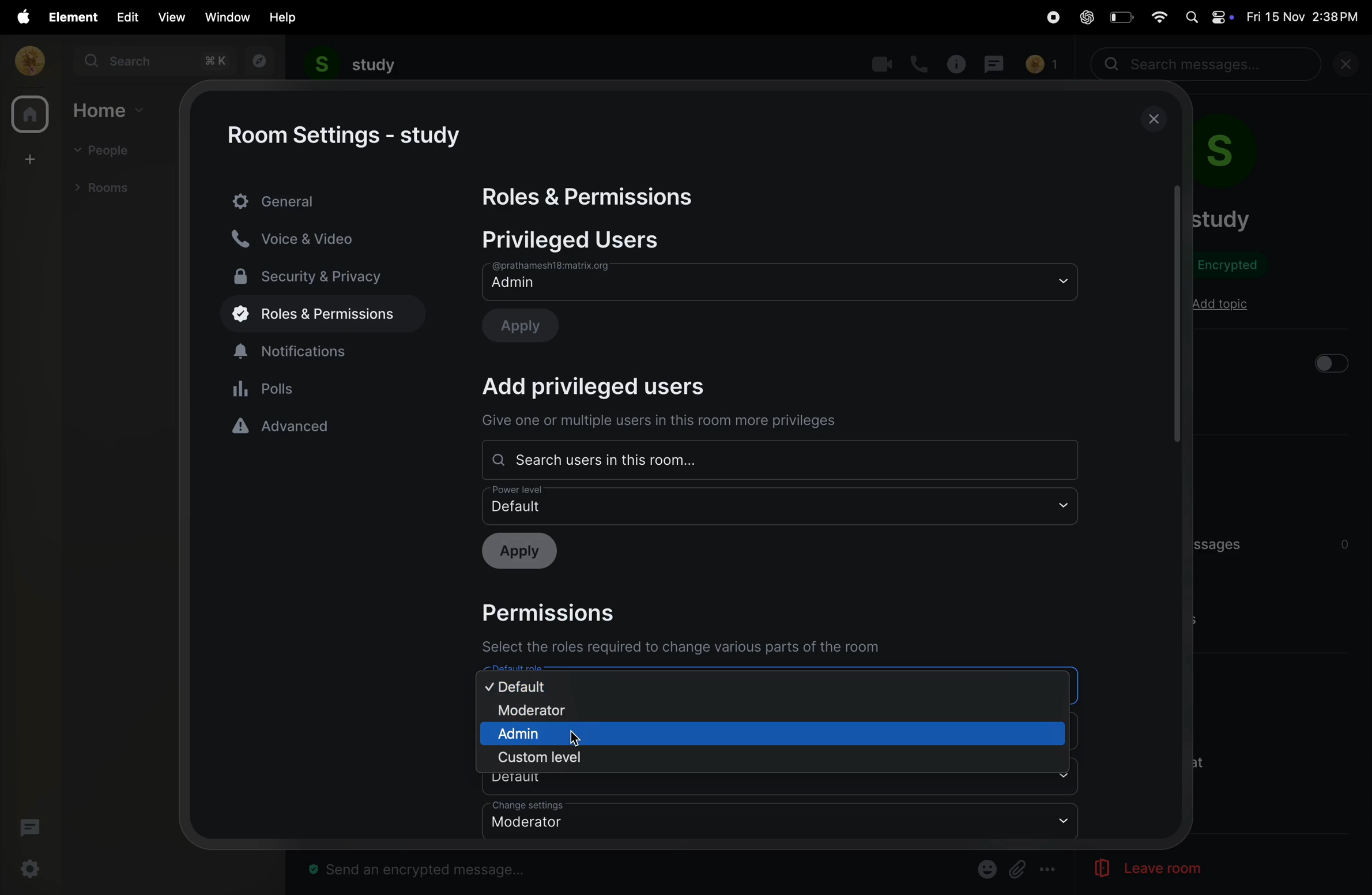  What do you see at coordinates (782, 505) in the screenshot?
I see `Default` at bounding box center [782, 505].